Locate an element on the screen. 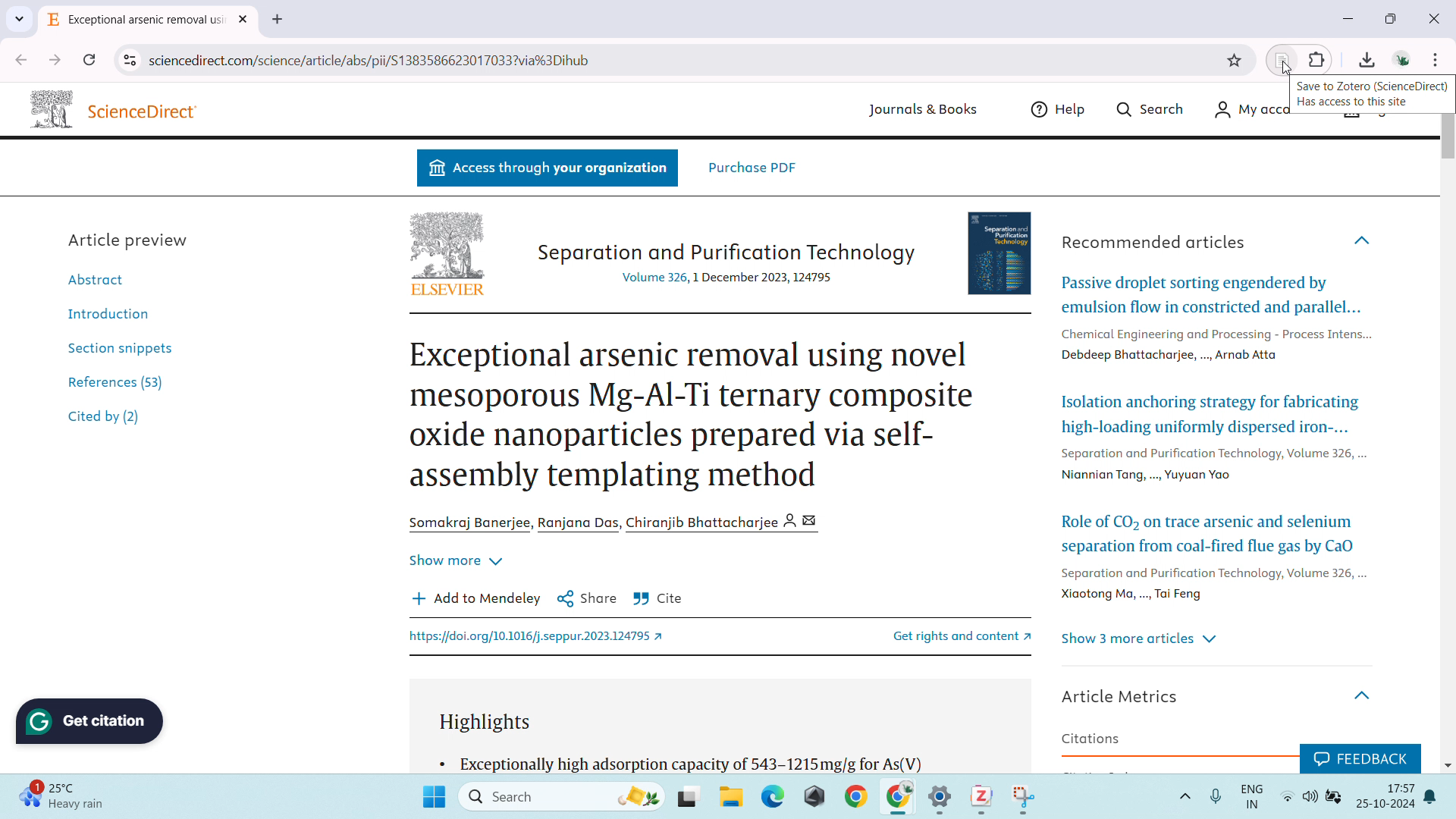  cursor is located at coordinates (1286, 68).